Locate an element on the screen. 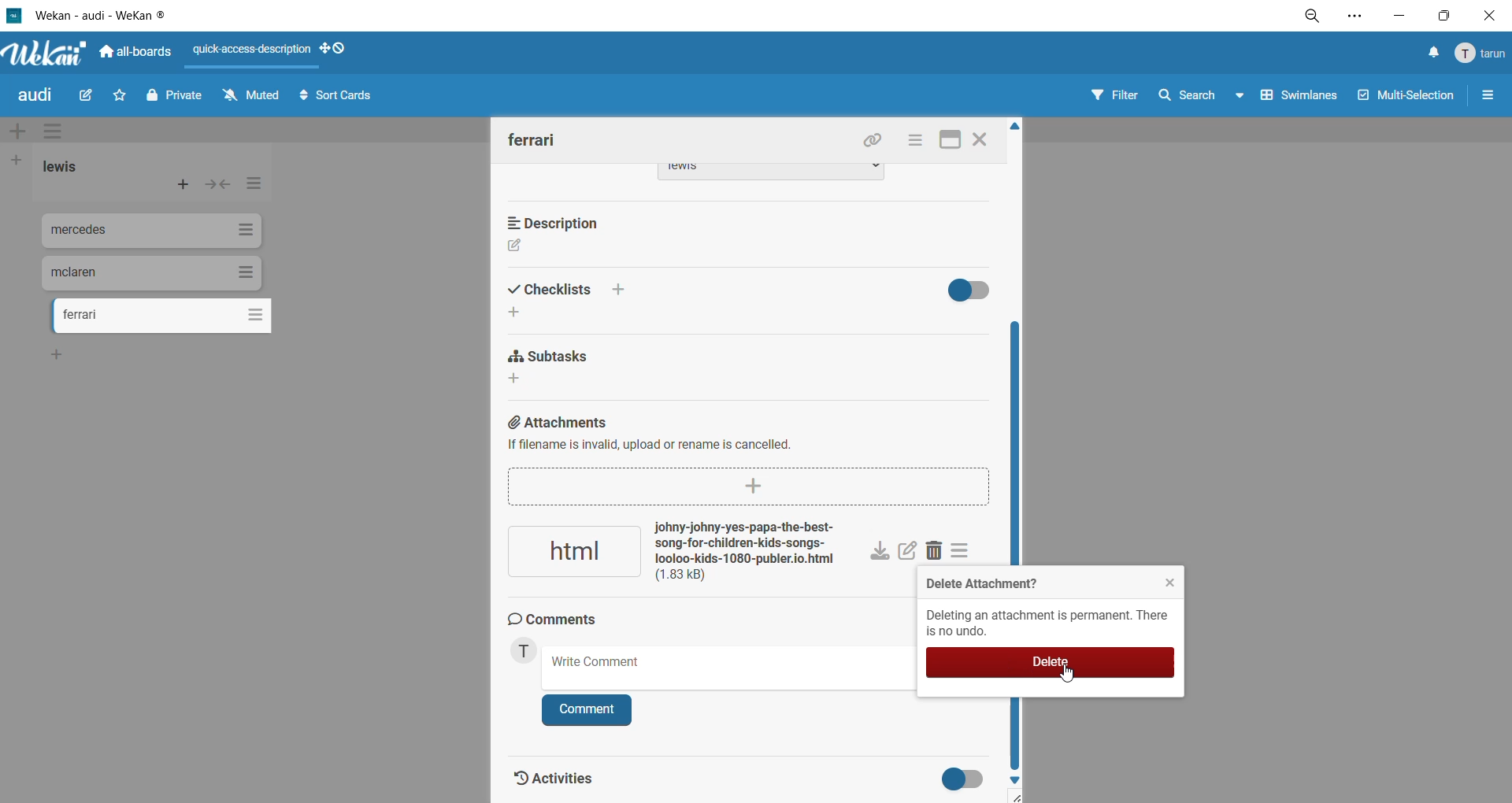  list actions is located at coordinates (251, 187).